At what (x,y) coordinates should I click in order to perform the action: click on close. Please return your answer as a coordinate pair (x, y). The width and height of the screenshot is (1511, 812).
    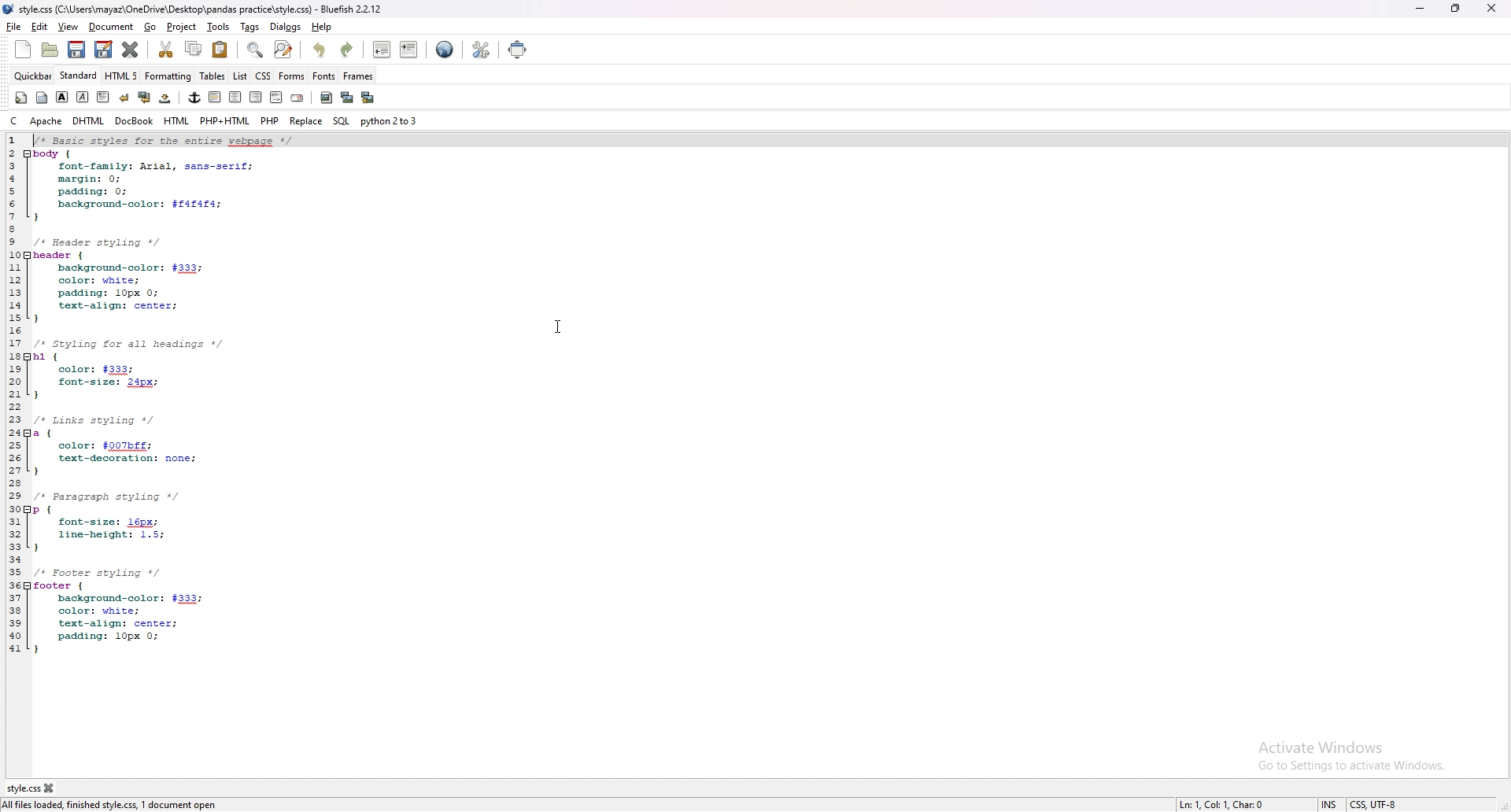
    Looking at the image, I should click on (1491, 9).